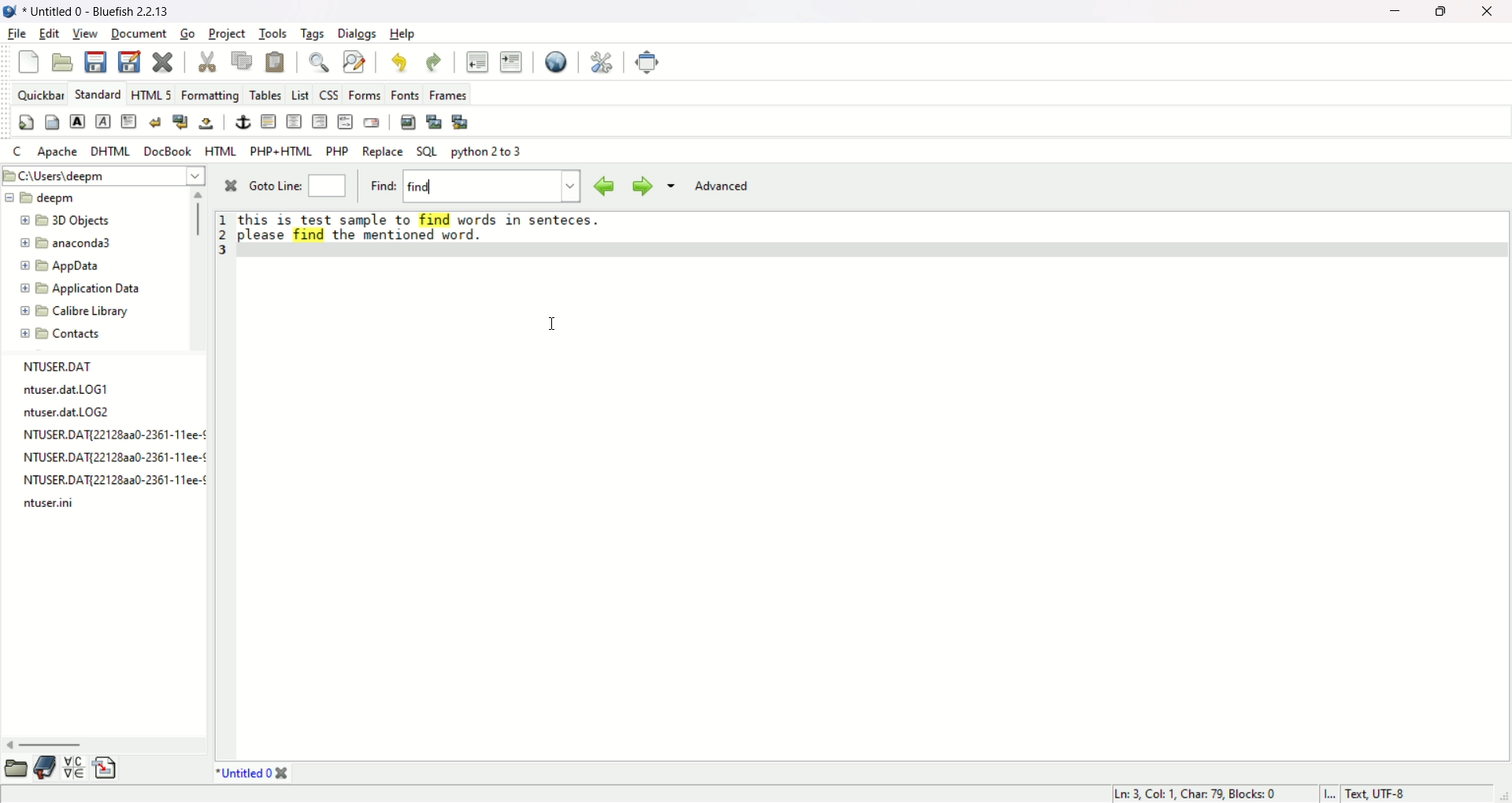 This screenshot has width=1512, height=803. Describe the element at coordinates (317, 61) in the screenshot. I see `find` at that location.